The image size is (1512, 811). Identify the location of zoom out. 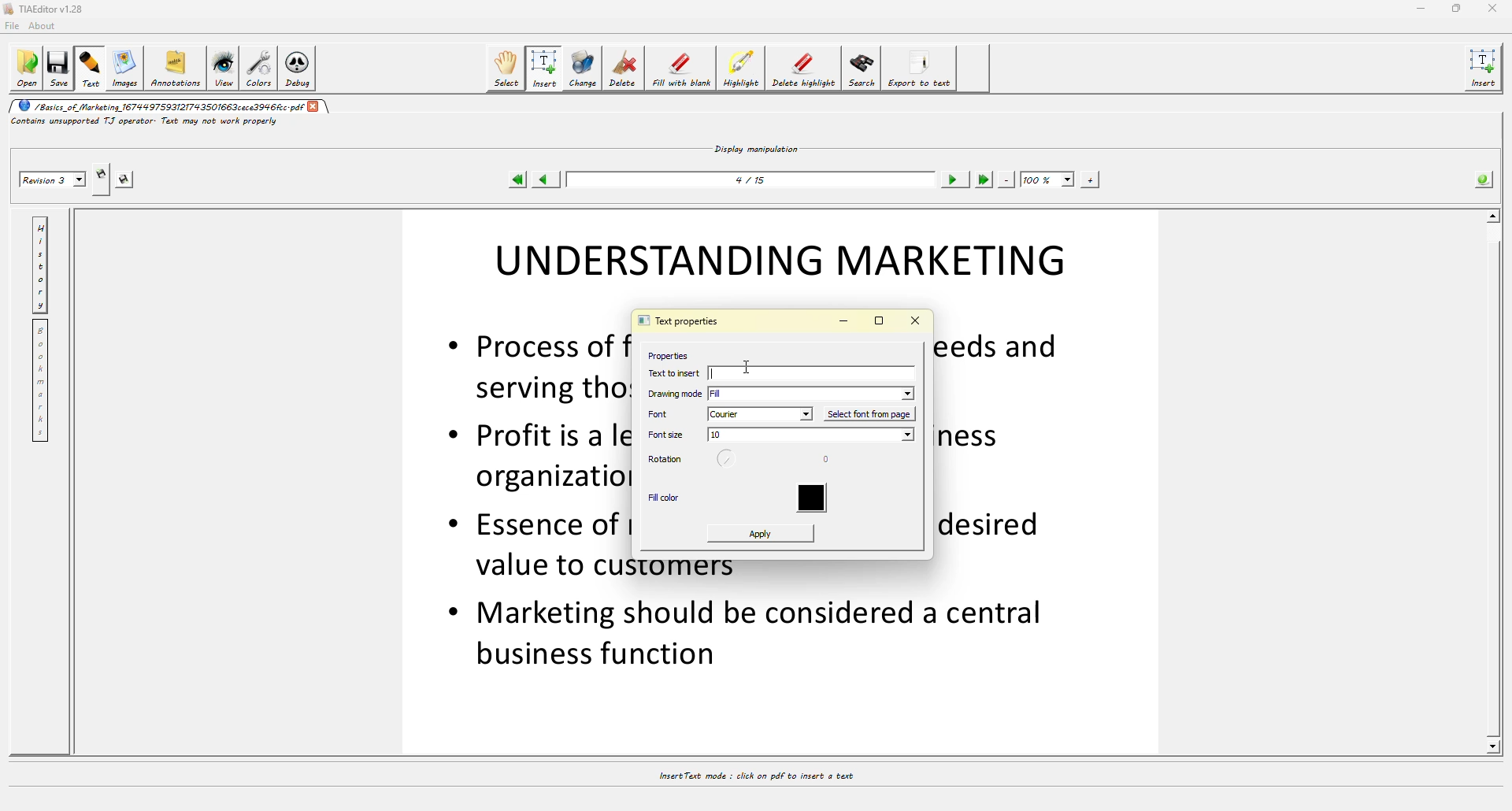
(1007, 179).